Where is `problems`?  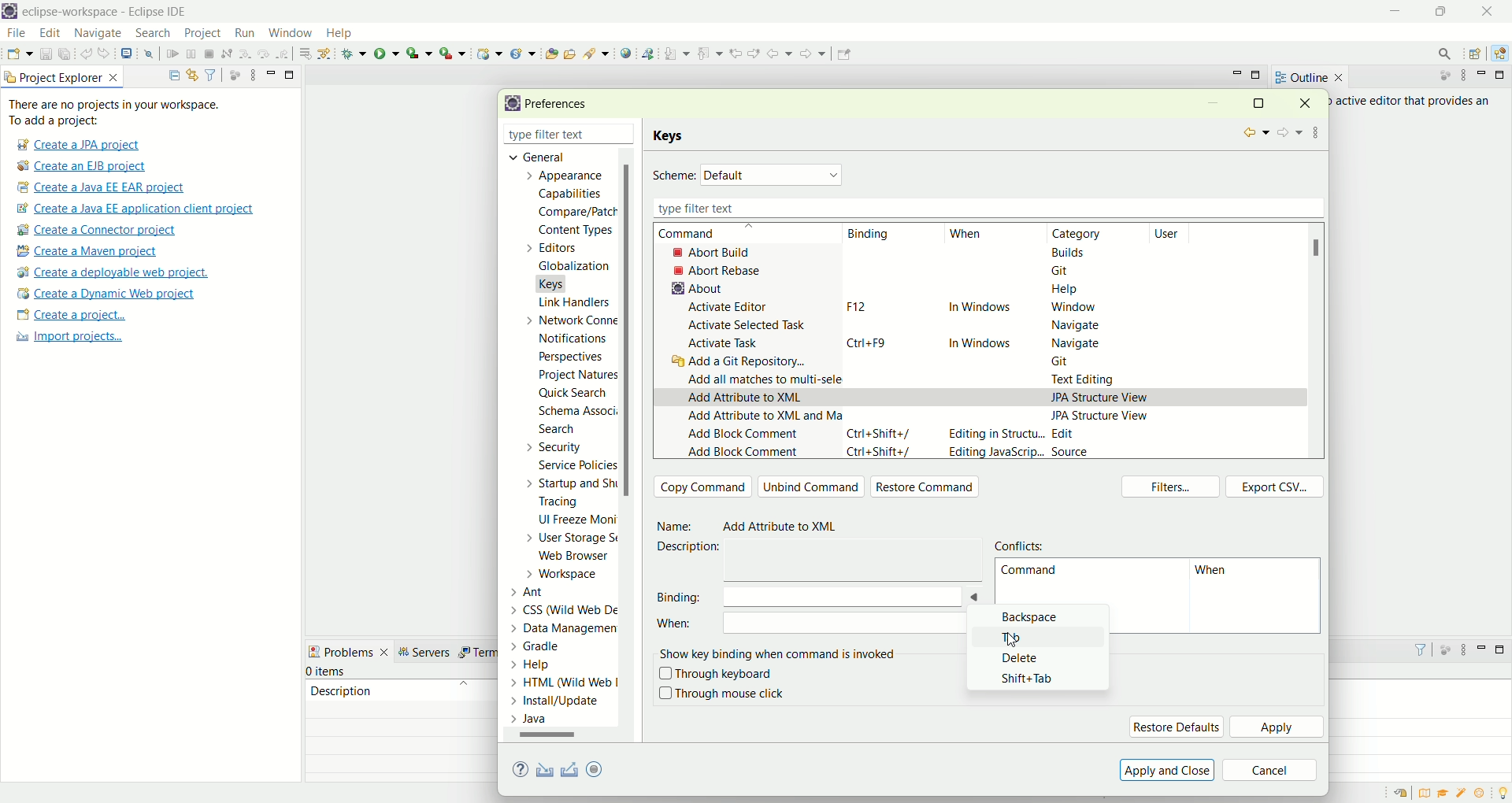
problems is located at coordinates (349, 650).